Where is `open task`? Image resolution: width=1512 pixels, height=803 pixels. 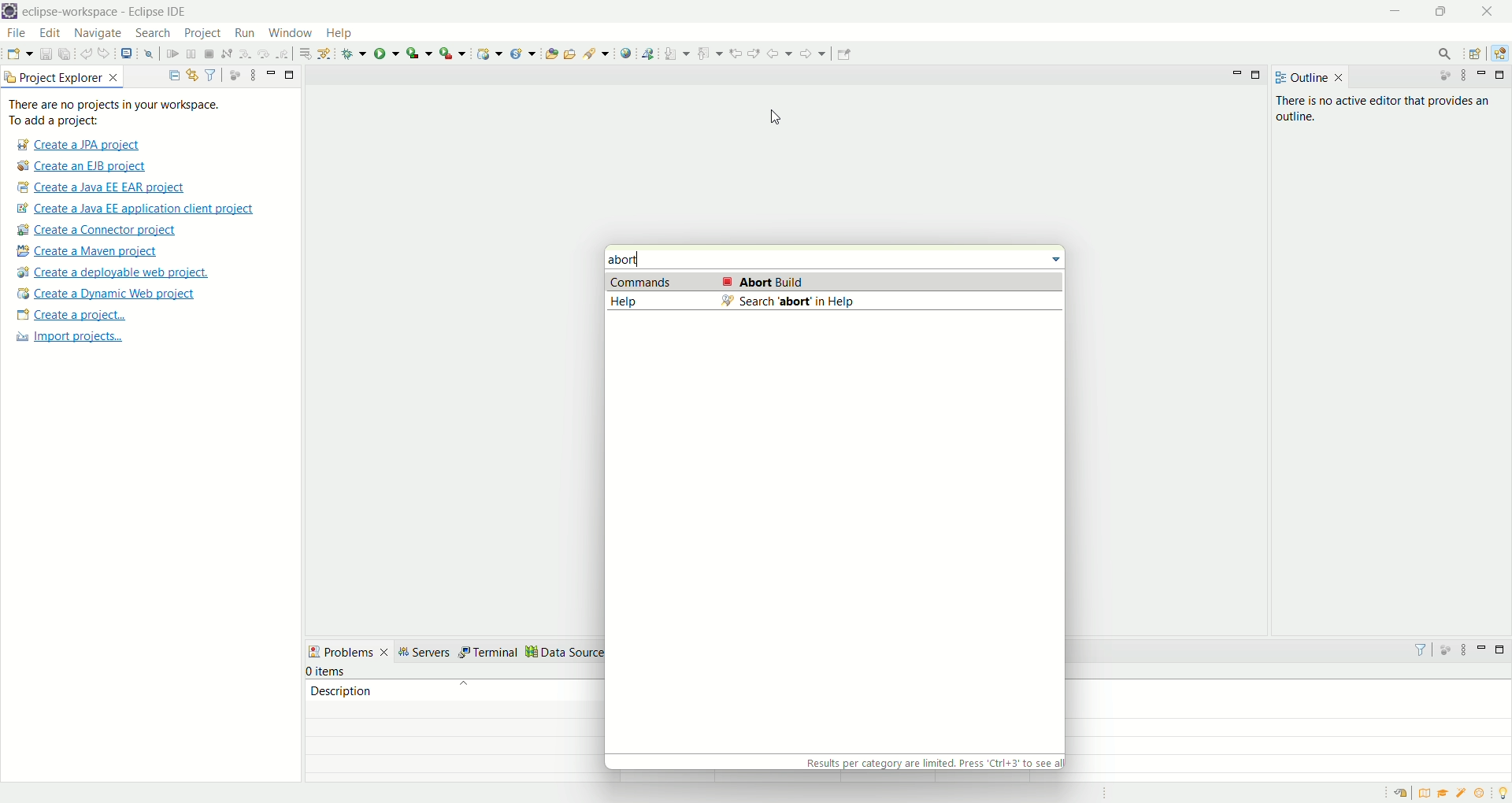 open task is located at coordinates (571, 54).